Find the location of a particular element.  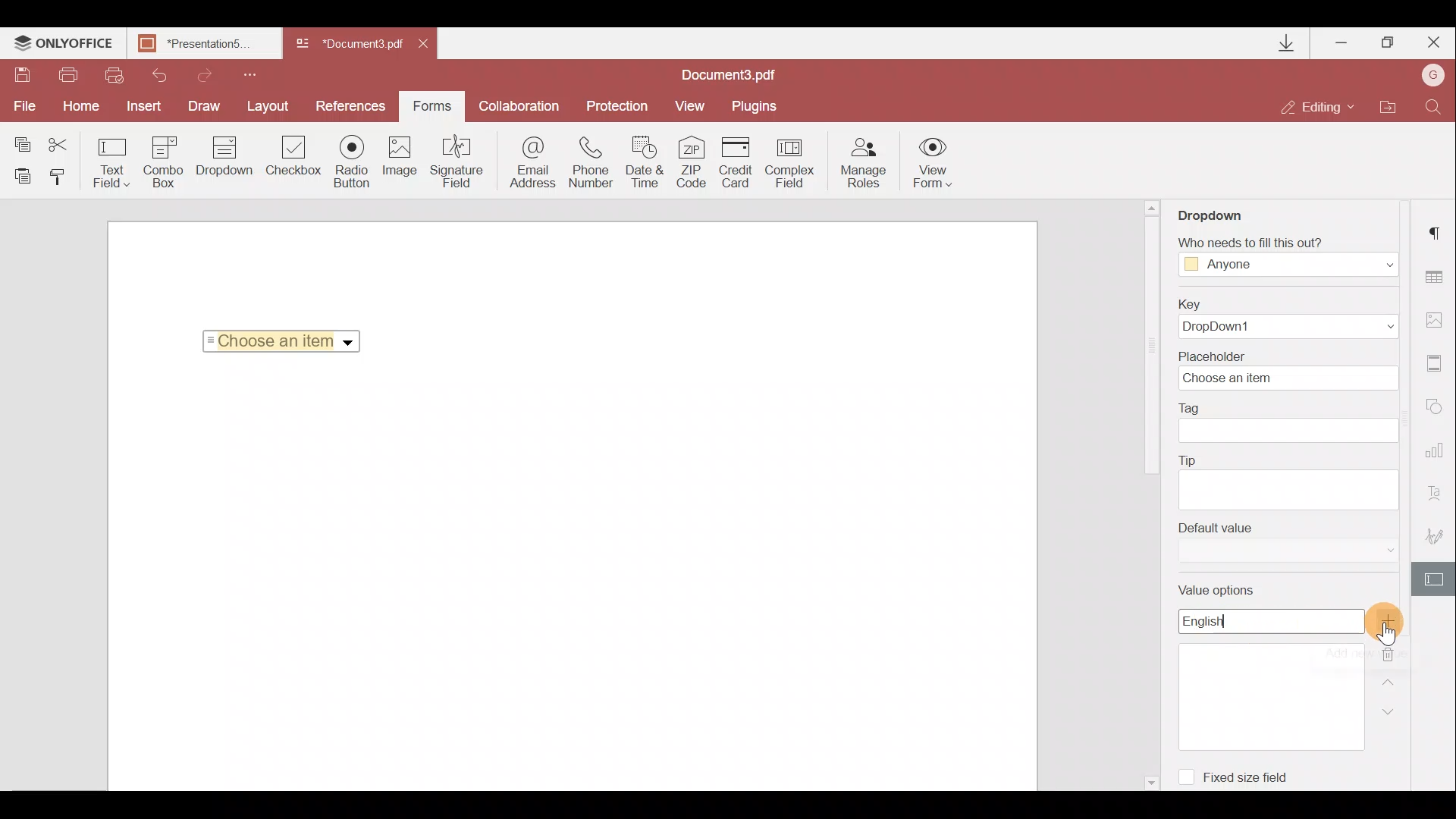

Tip is located at coordinates (1288, 480).